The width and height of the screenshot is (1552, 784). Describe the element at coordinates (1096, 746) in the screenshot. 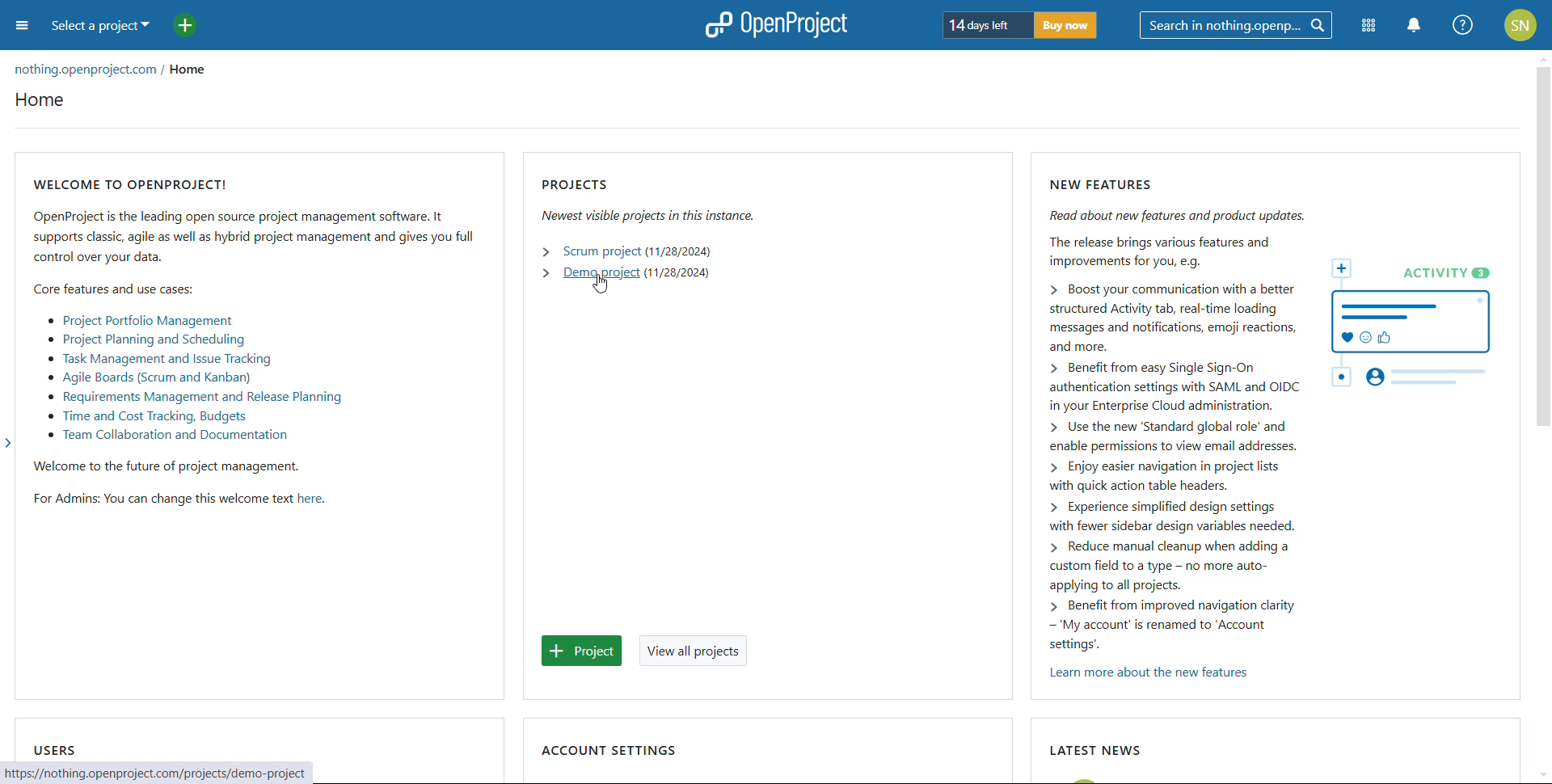

I see `LATEST NEWS` at that location.